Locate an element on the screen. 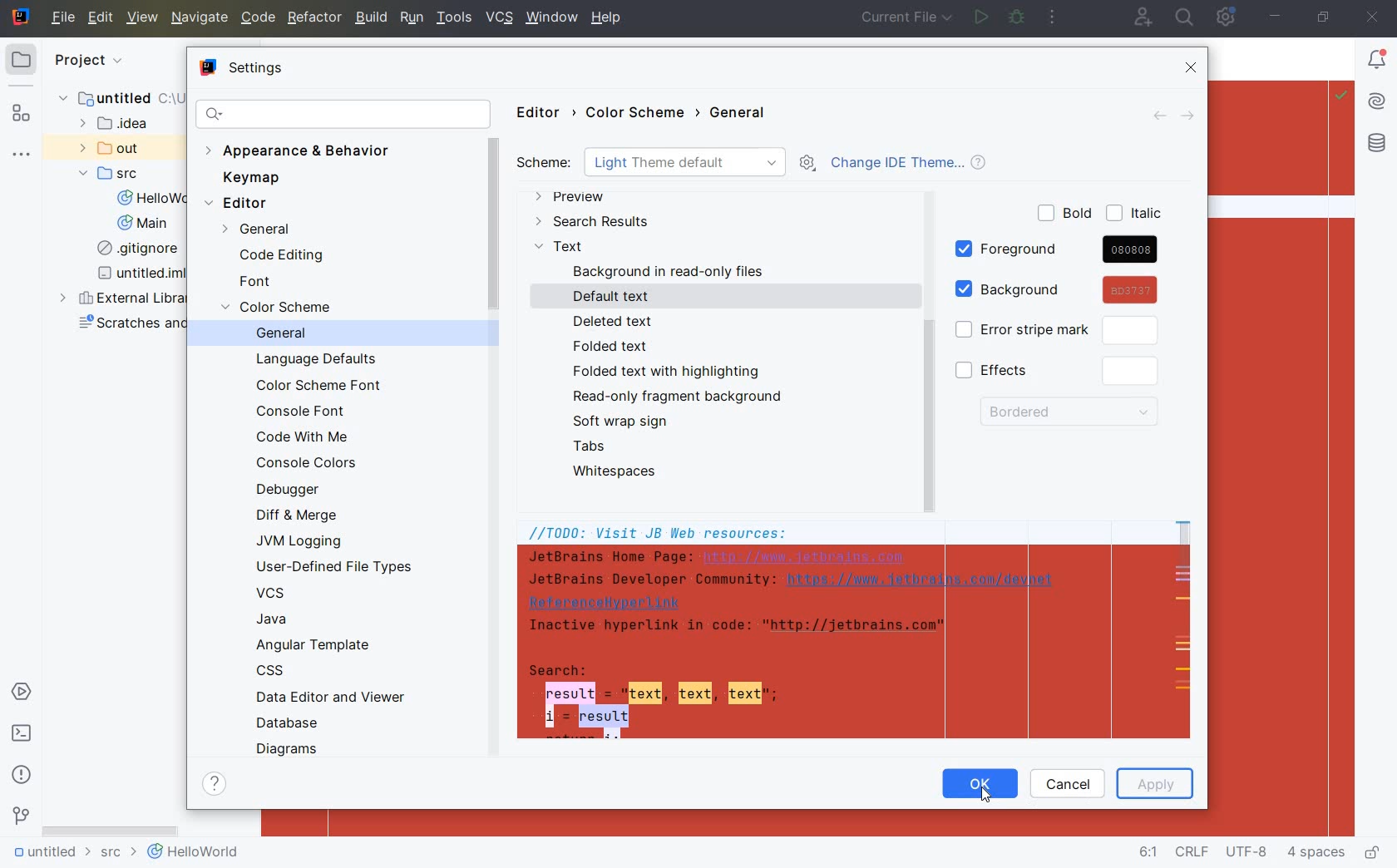 This screenshot has height=868, width=1397. cursor is located at coordinates (991, 801).